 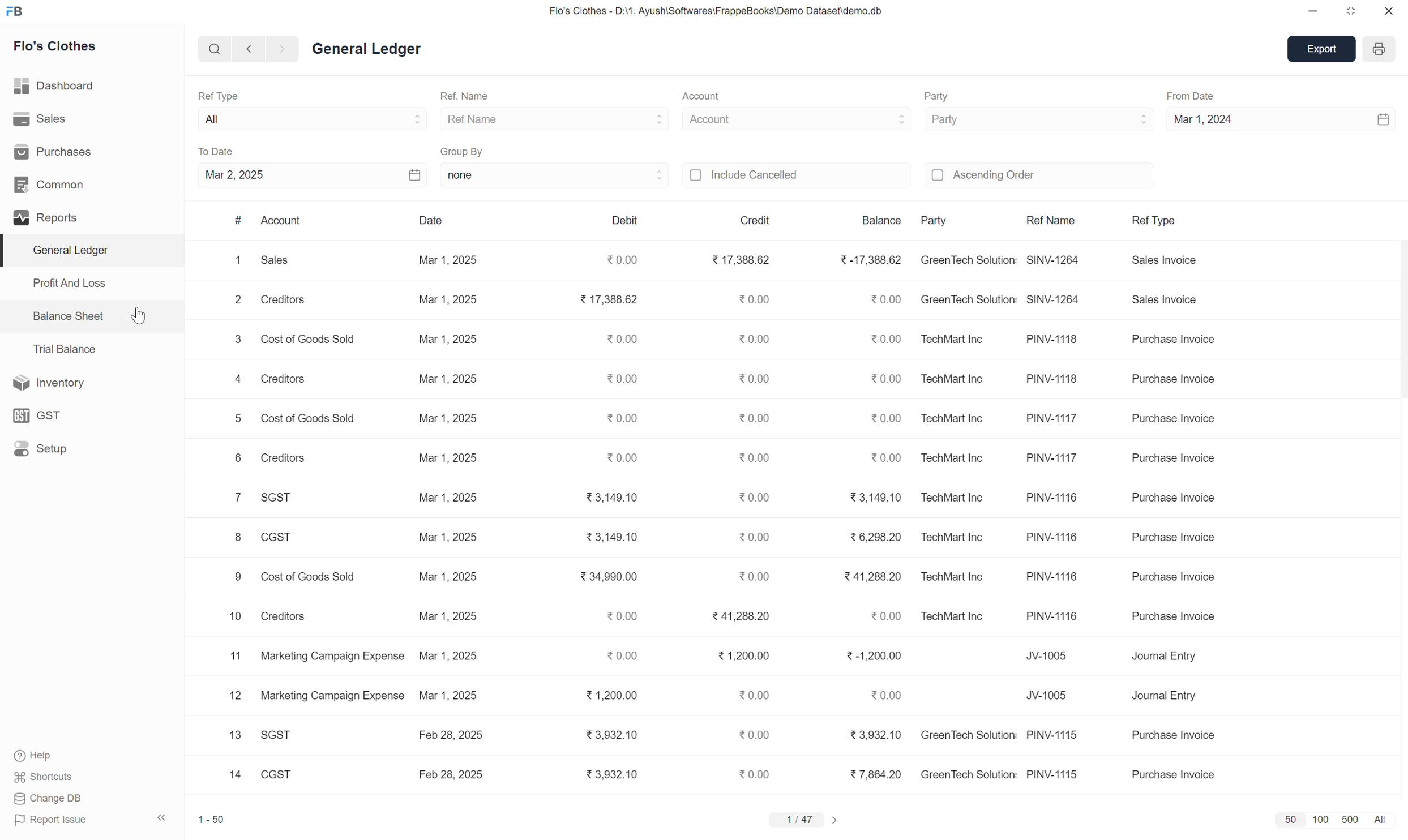 What do you see at coordinates (212, 49) in the screenshot?
I see `search` at bounding box center [212, 49].